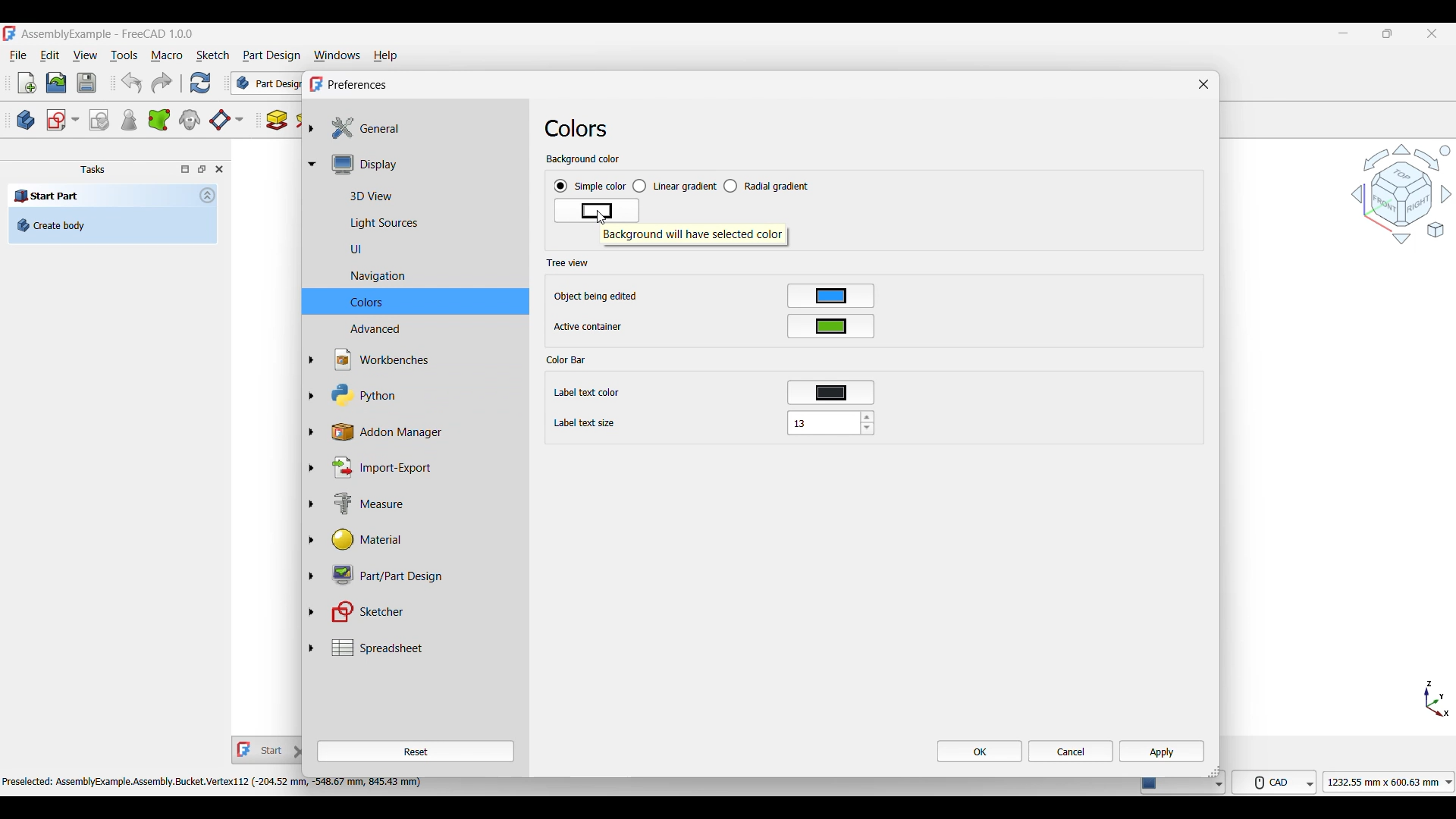 Image resolution: width=1456 pixels, height=819 pixels. I want to click on Label text color, so click(591, 394).